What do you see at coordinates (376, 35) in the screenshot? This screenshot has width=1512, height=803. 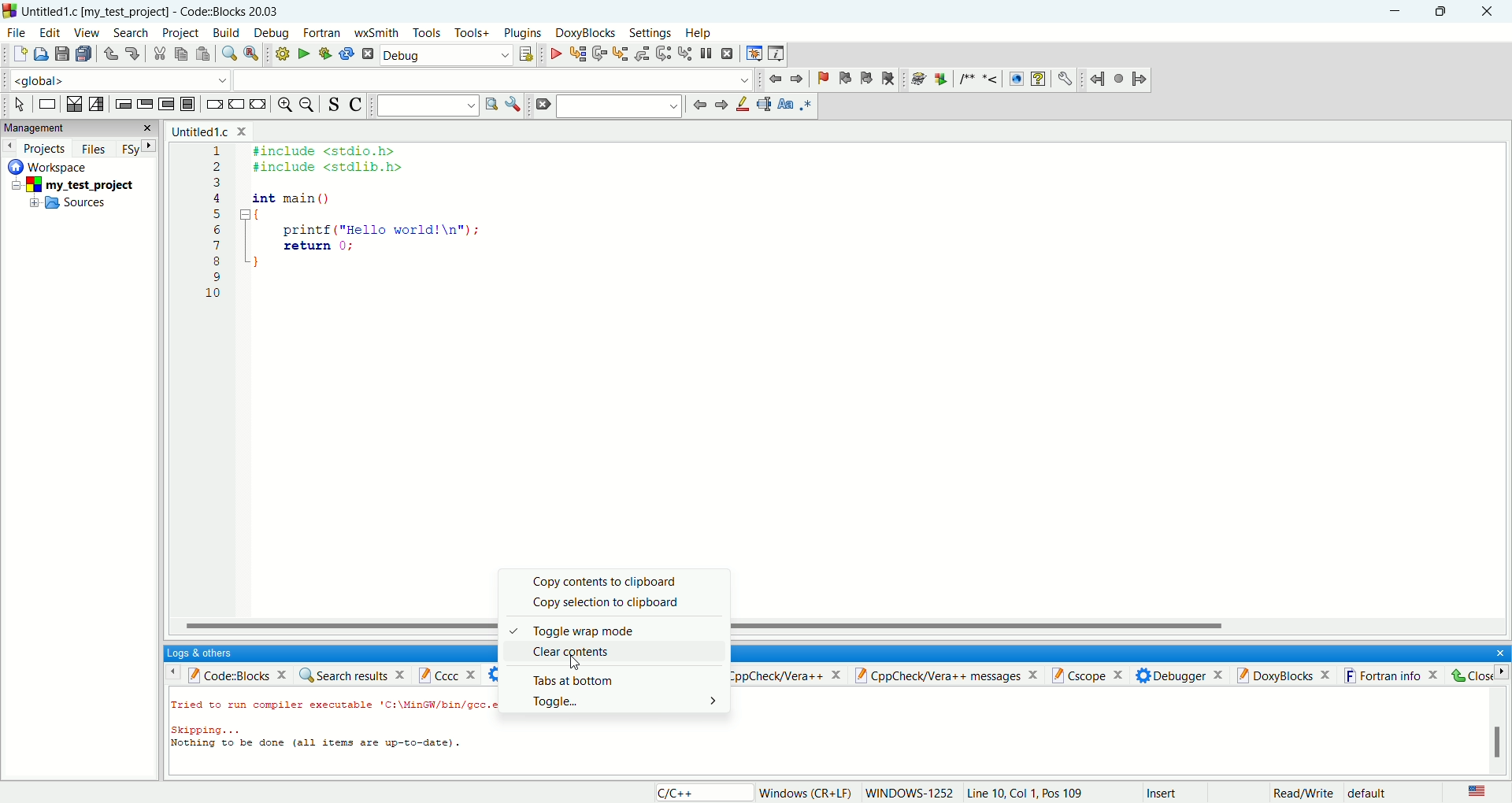 I see `wxSmith` at bounding box center [376, 35].